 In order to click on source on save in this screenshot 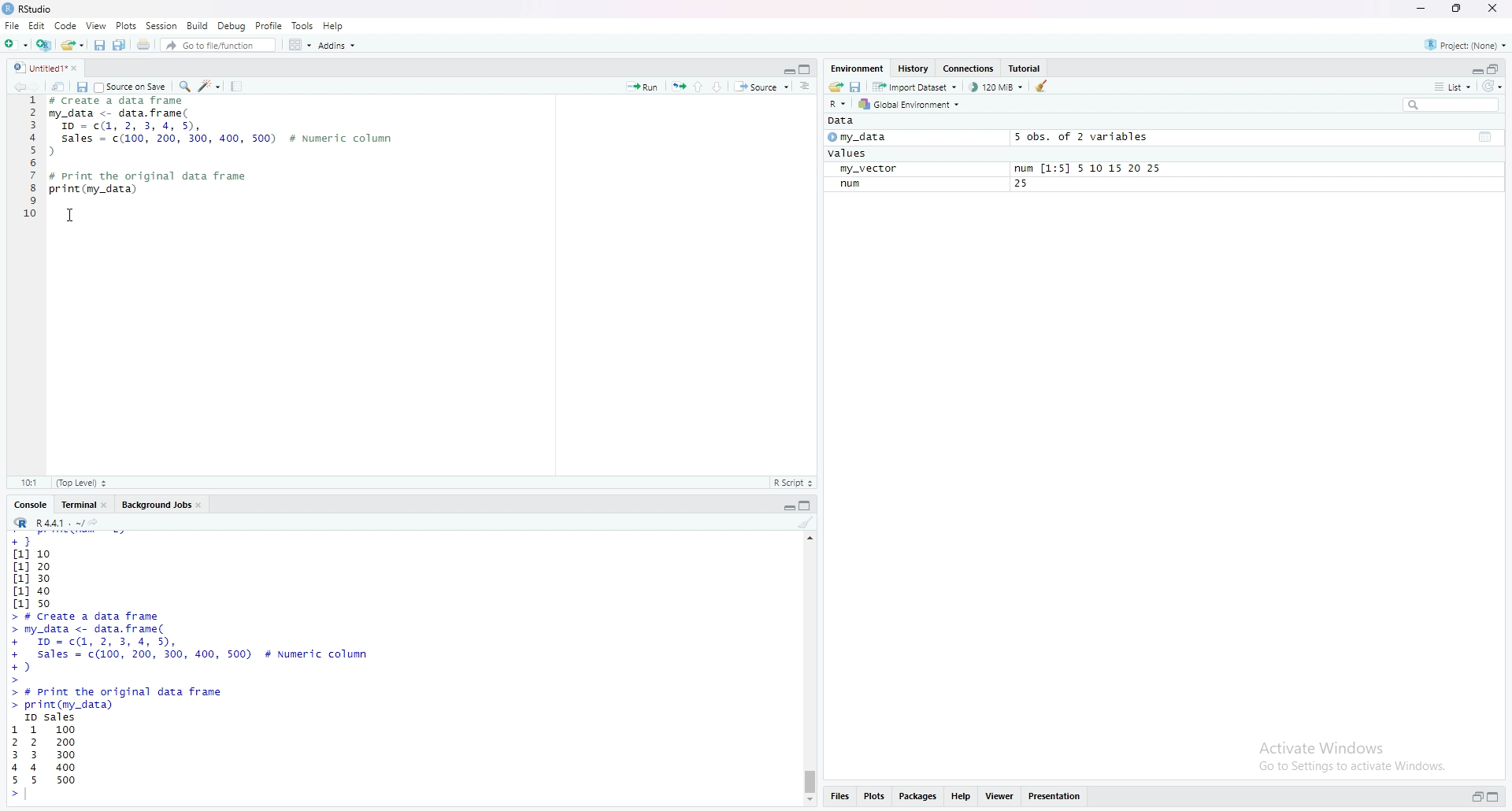, I will do `click(132, 88)`.